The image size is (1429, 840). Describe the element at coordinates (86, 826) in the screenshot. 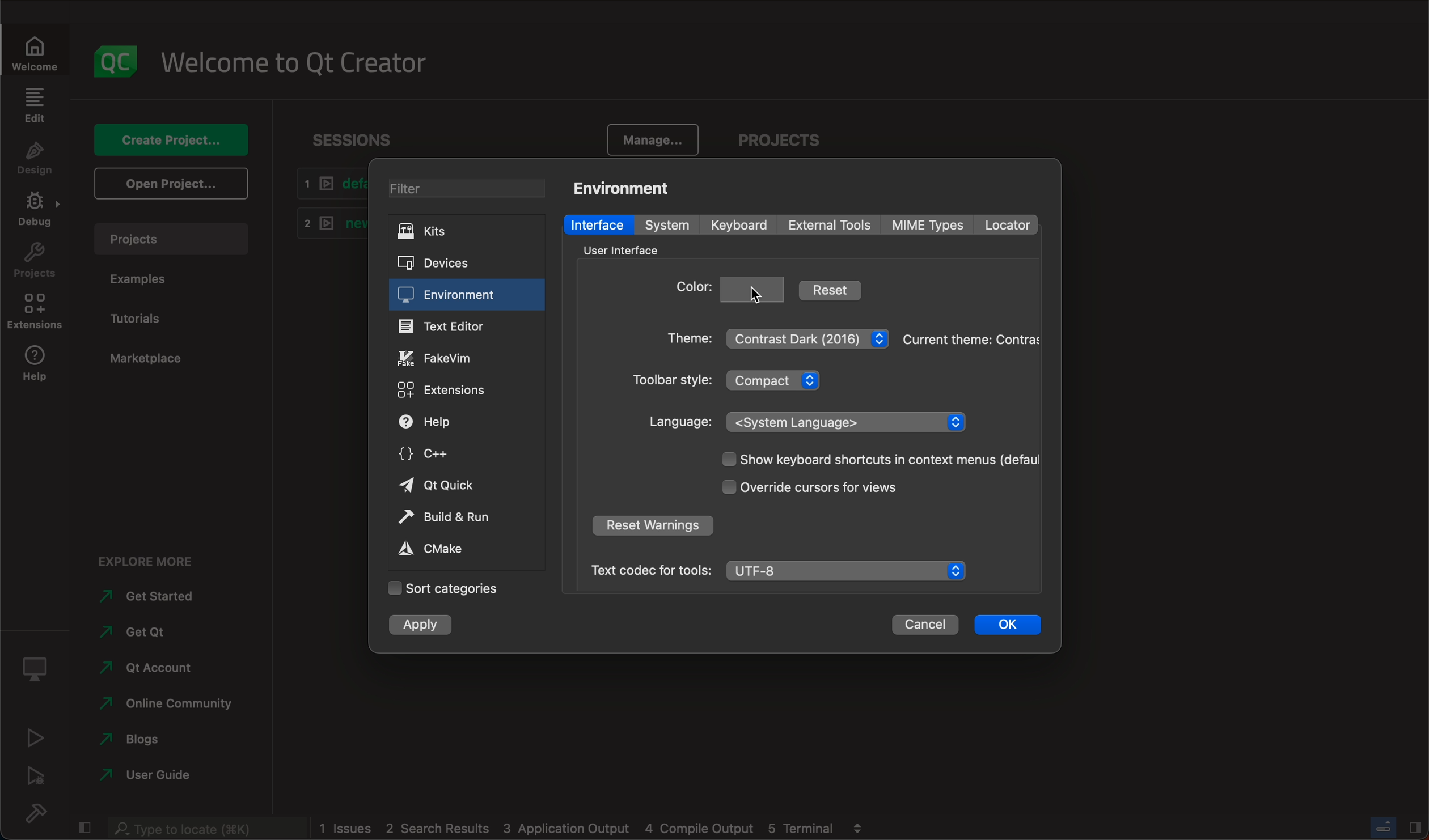

I see `close slidebar` at that location.